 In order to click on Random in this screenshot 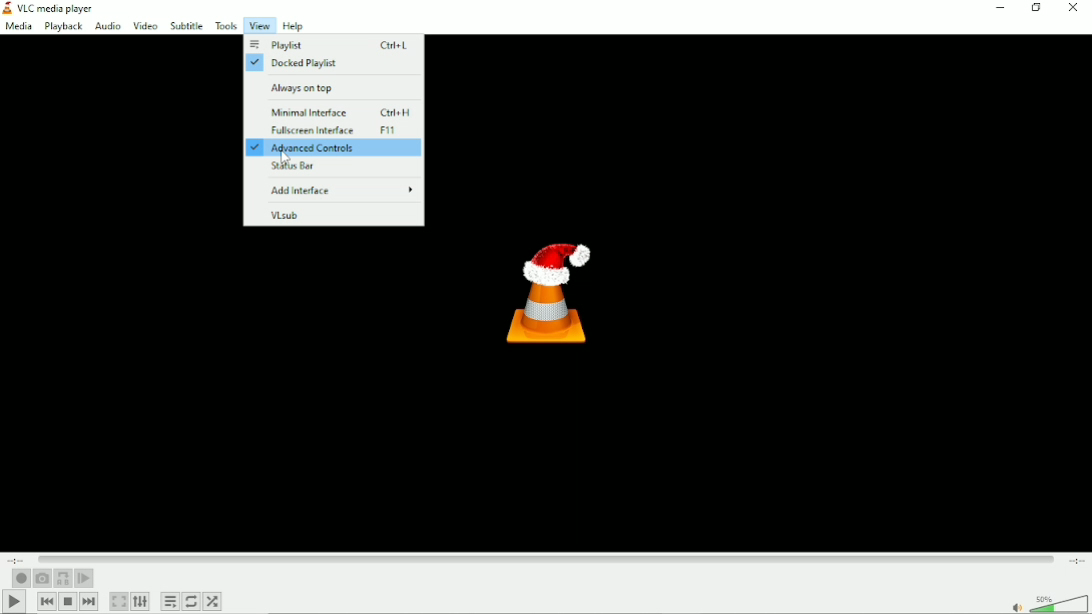, I will do `click(212, 601)`.